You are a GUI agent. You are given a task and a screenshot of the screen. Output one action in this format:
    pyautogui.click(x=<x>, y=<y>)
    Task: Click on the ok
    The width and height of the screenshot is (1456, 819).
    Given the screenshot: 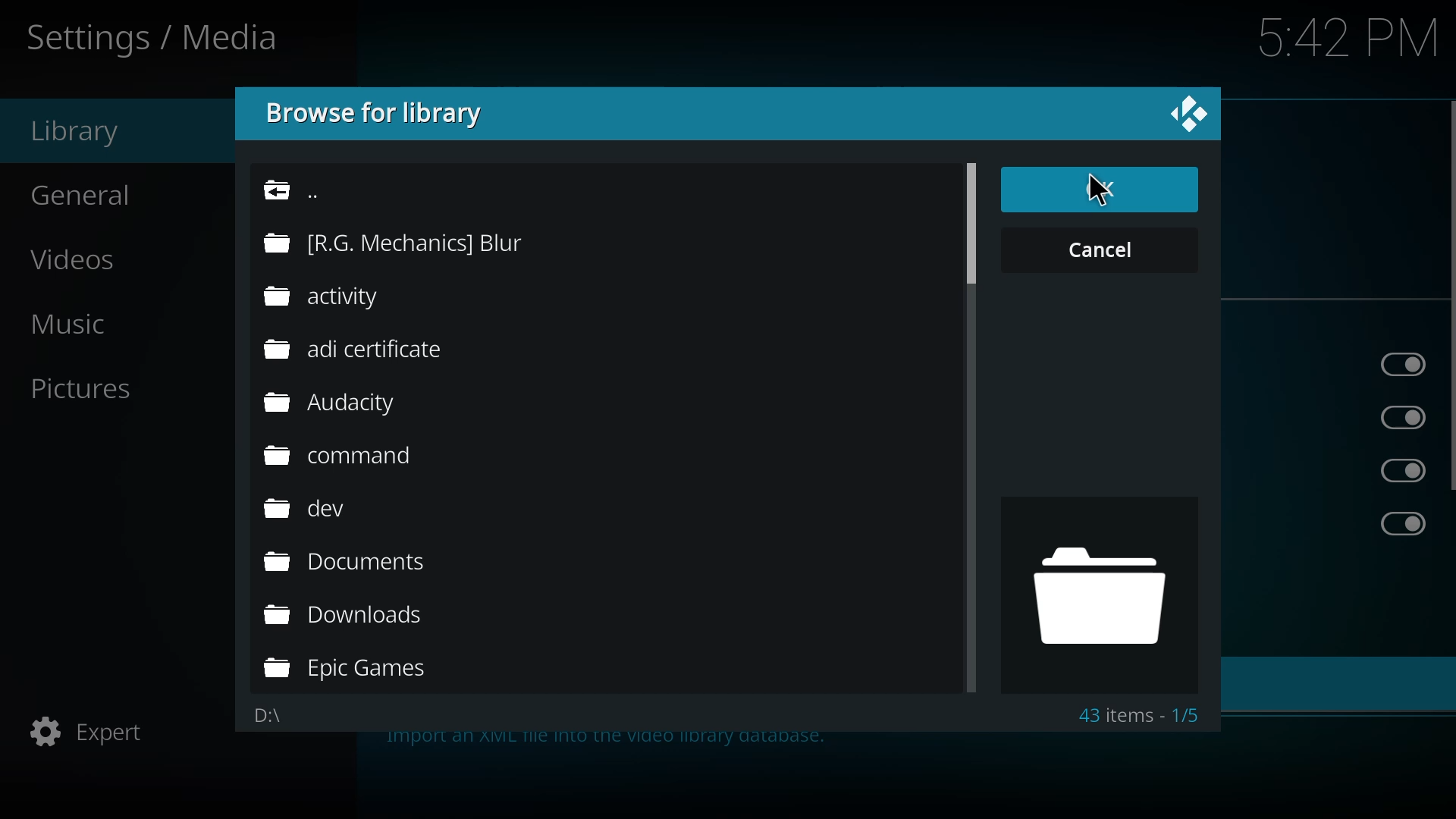 What is the action you would take?
    pyautogui.click(x=1098, y=189)
    